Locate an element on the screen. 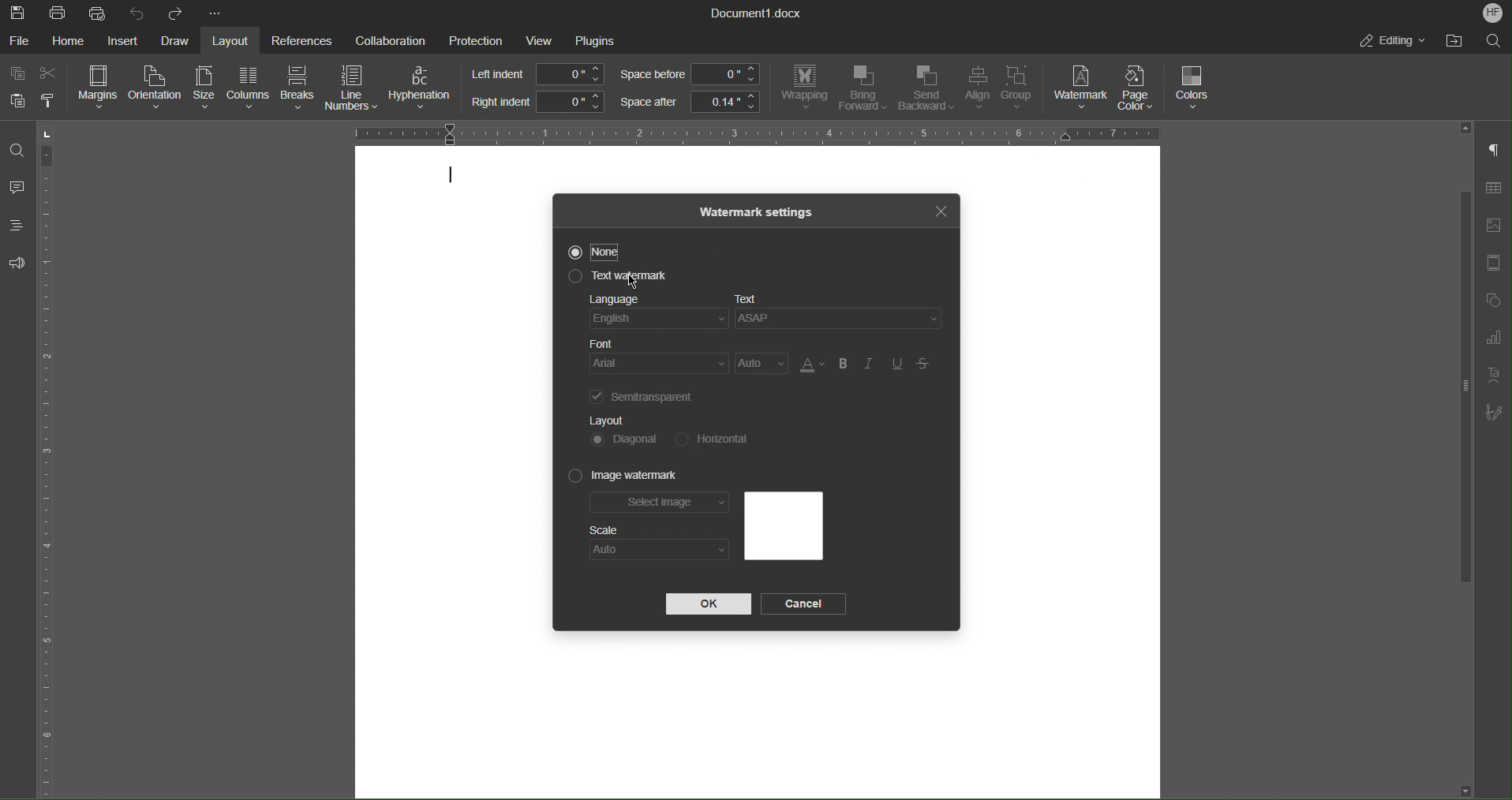  Left indent is located at coordinates (539, 74).